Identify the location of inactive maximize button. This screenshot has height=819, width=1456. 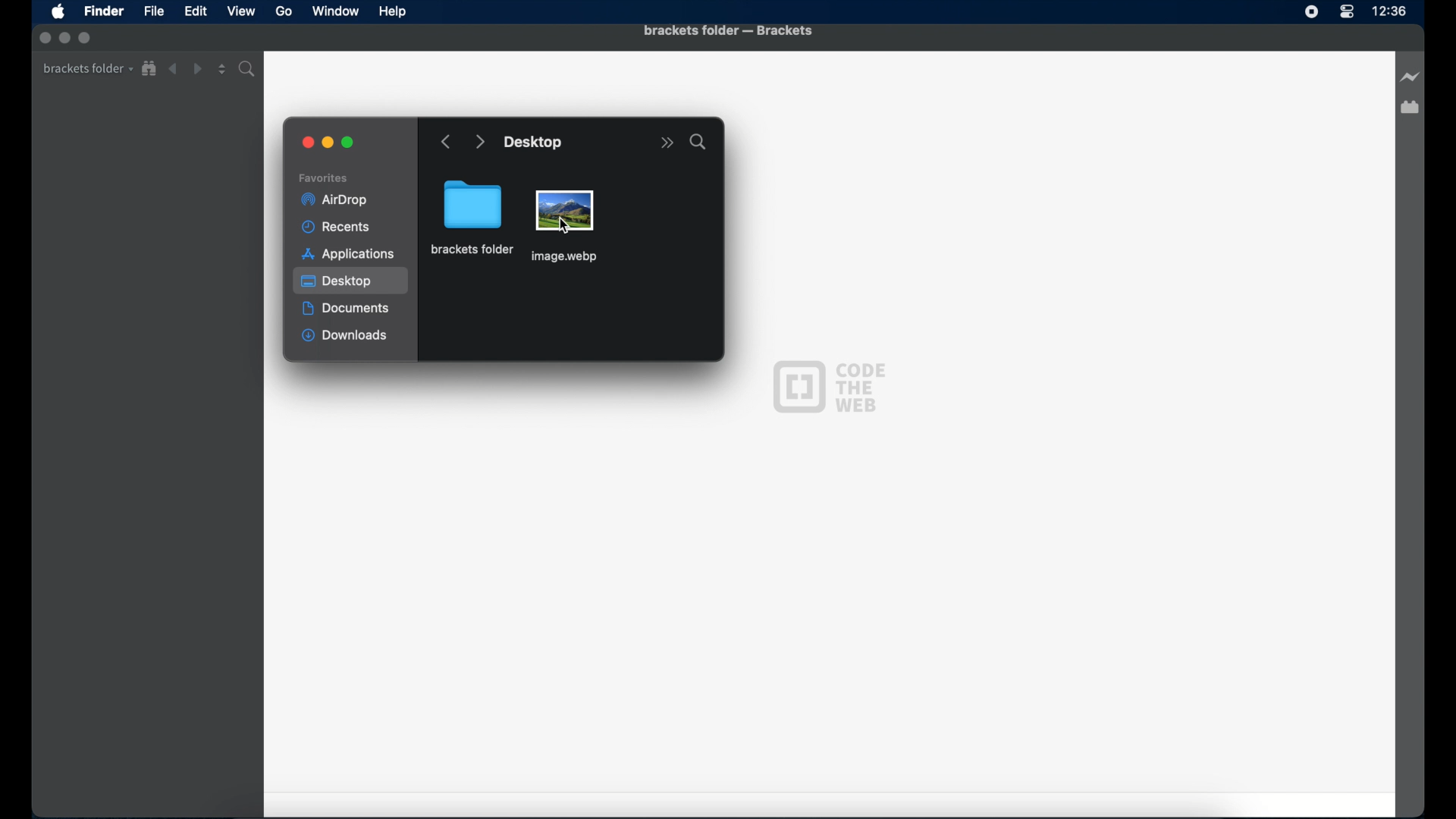
(86, 39).